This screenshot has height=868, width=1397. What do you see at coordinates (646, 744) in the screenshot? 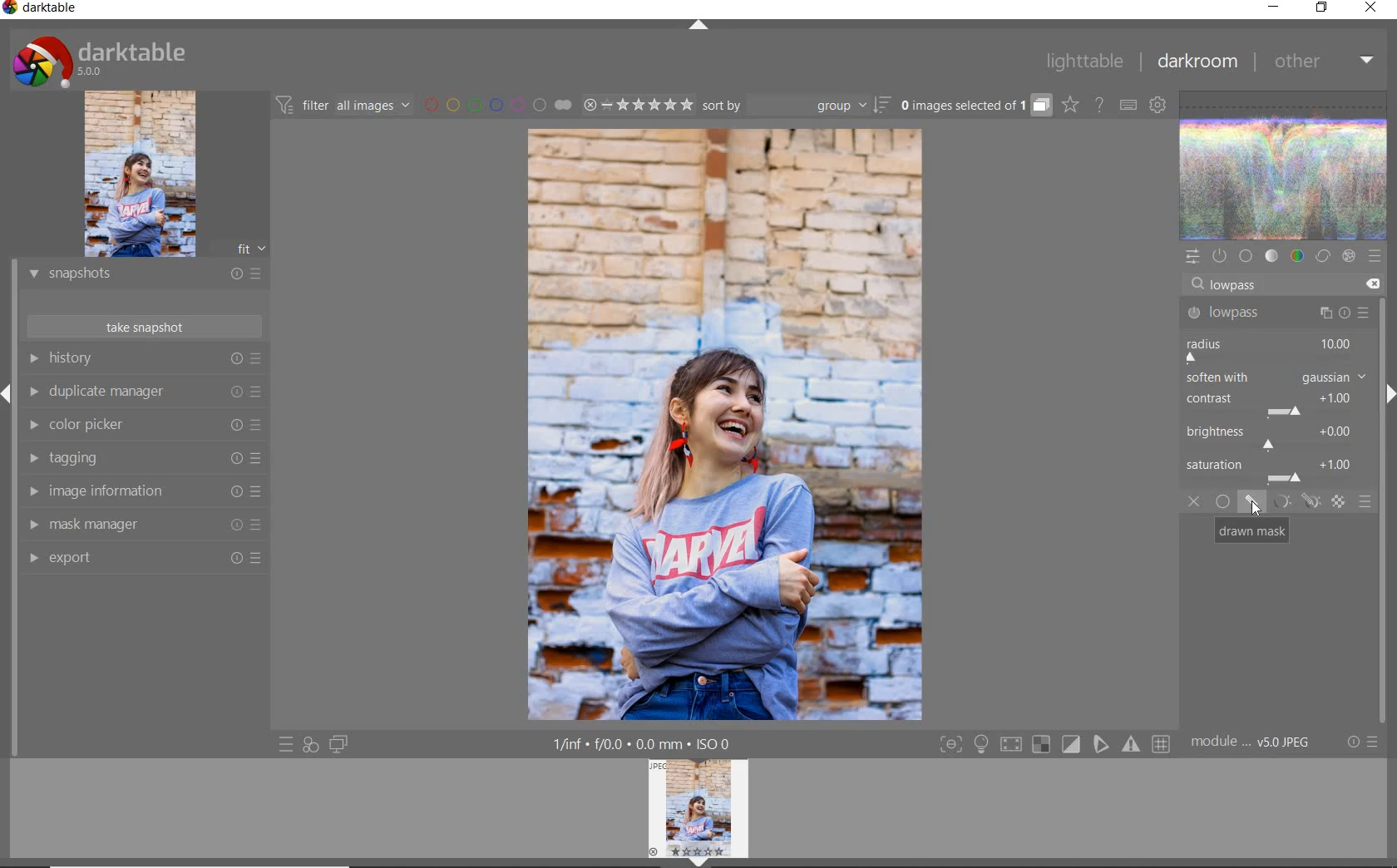
I see `1/inf*f/0.0 mm*ISO 0` at bounding box center [646, 744].